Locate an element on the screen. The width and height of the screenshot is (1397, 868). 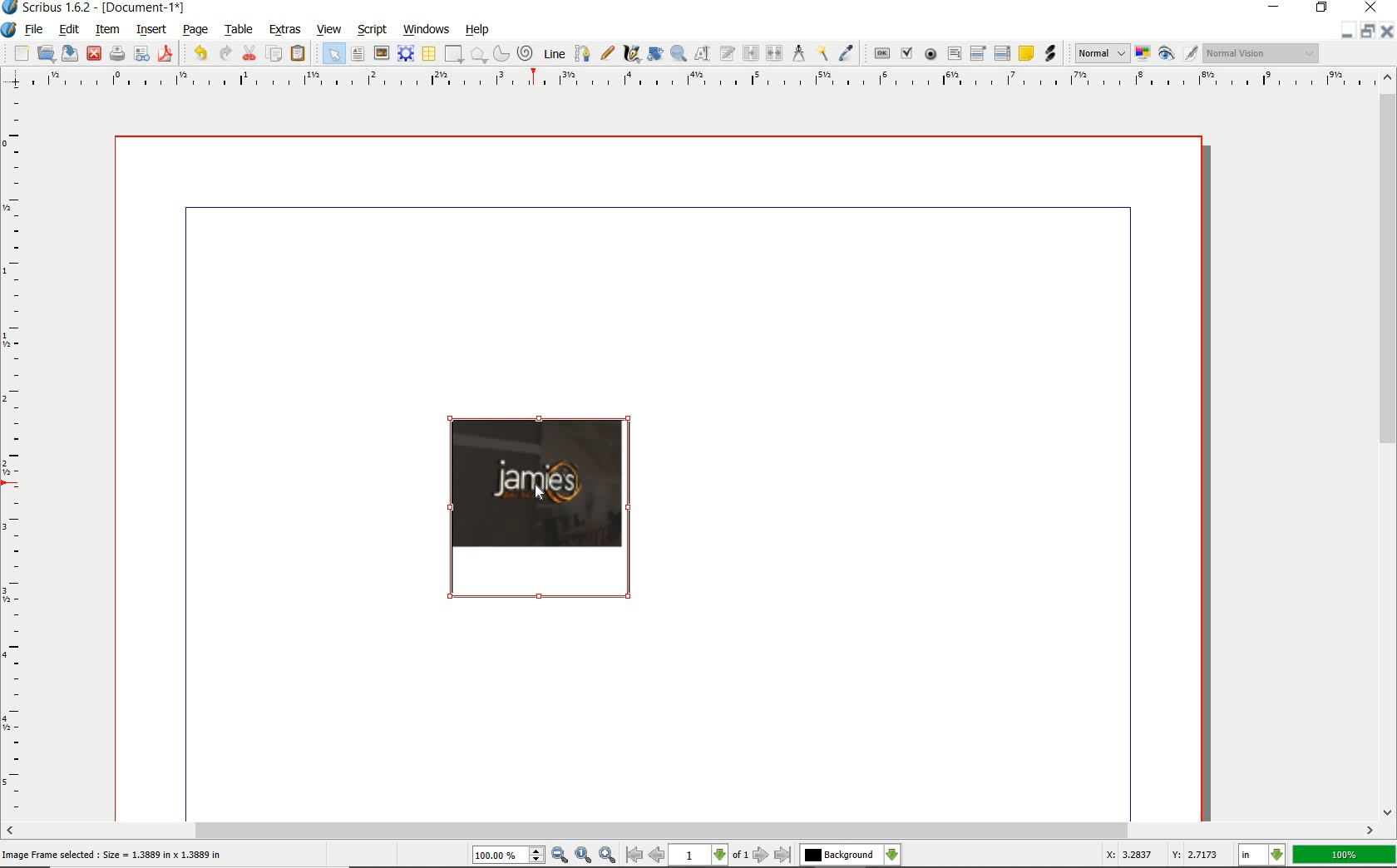
measurements is located at coordinates (799, 52).